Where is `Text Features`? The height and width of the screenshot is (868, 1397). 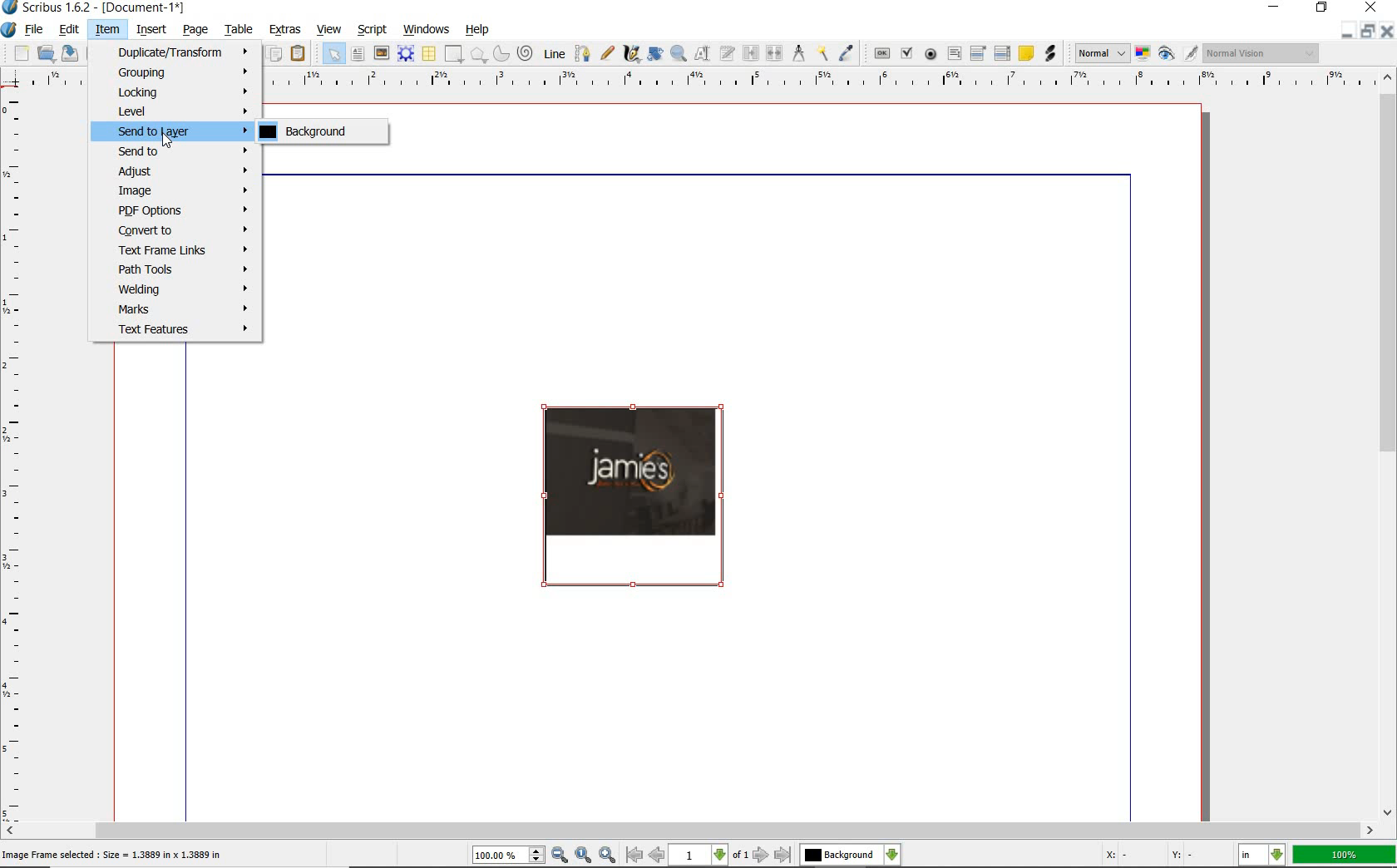
Text Features is located at coordinates (178, 330).